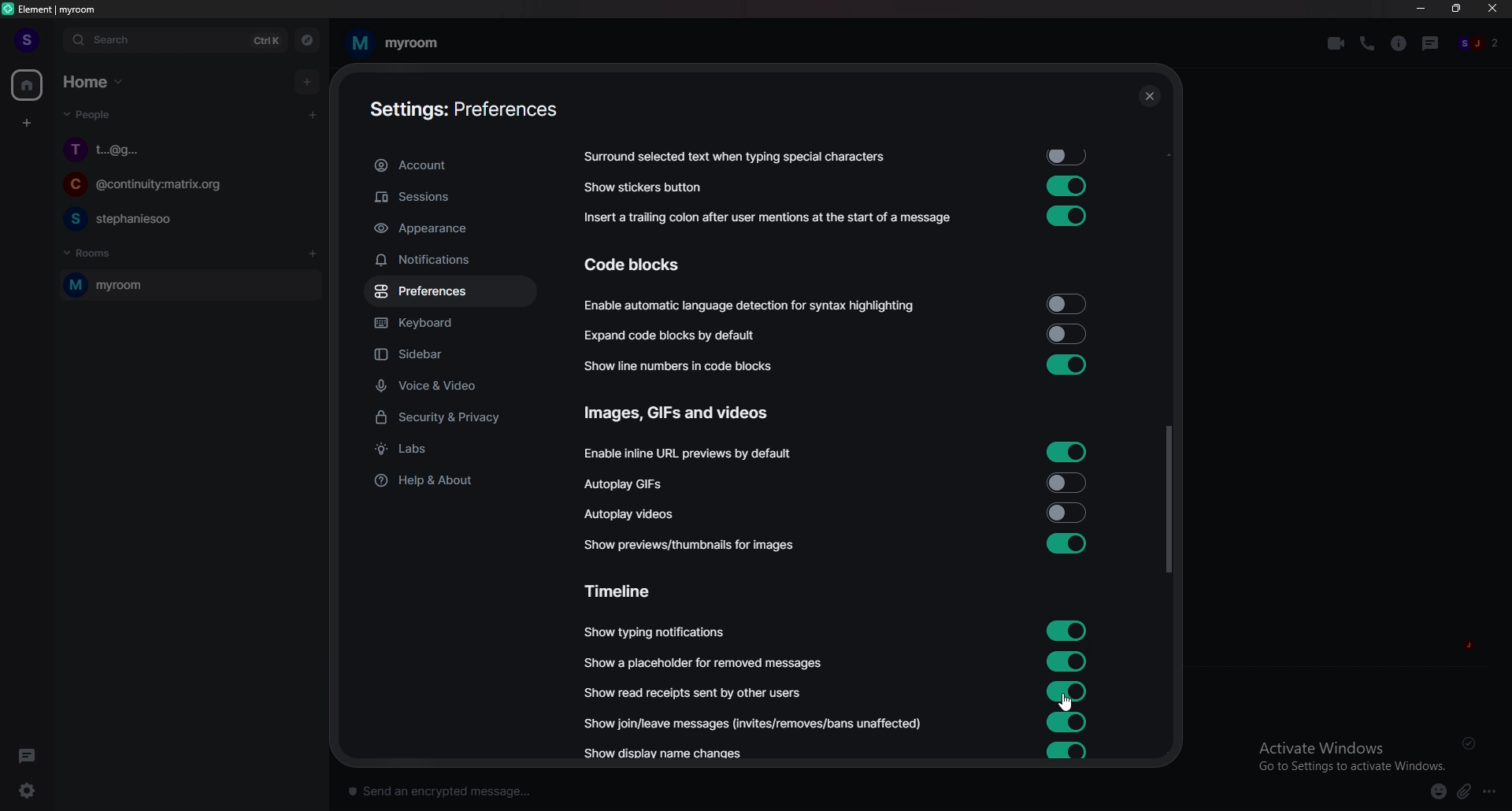 This screenshot has width=1512, height=811. Describe the element at coordinates (1066, 544) in the screenshot. I see `toggle` at that location.